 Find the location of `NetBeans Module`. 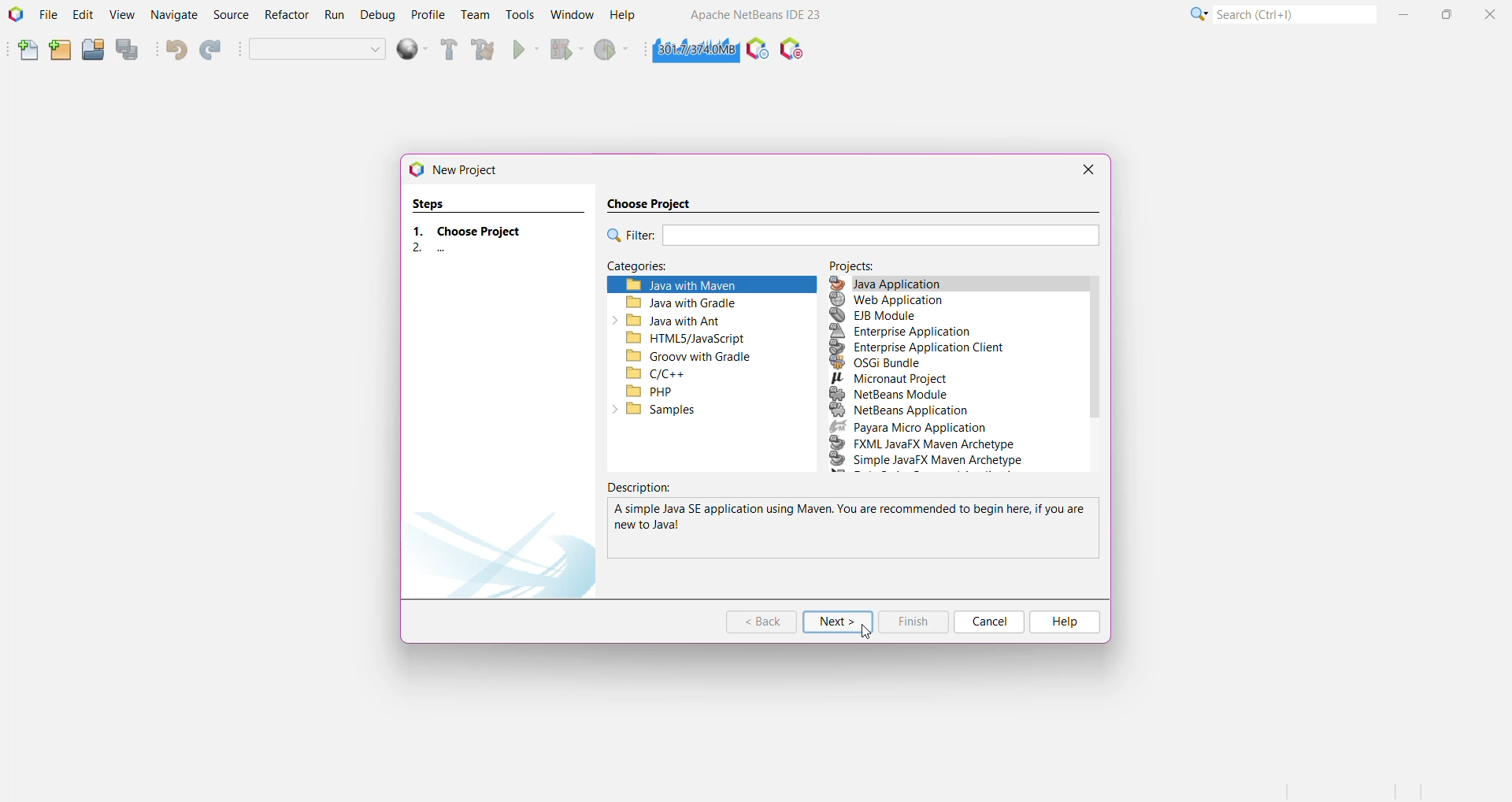

NetBeans Module is located at coordinates (893, 394).